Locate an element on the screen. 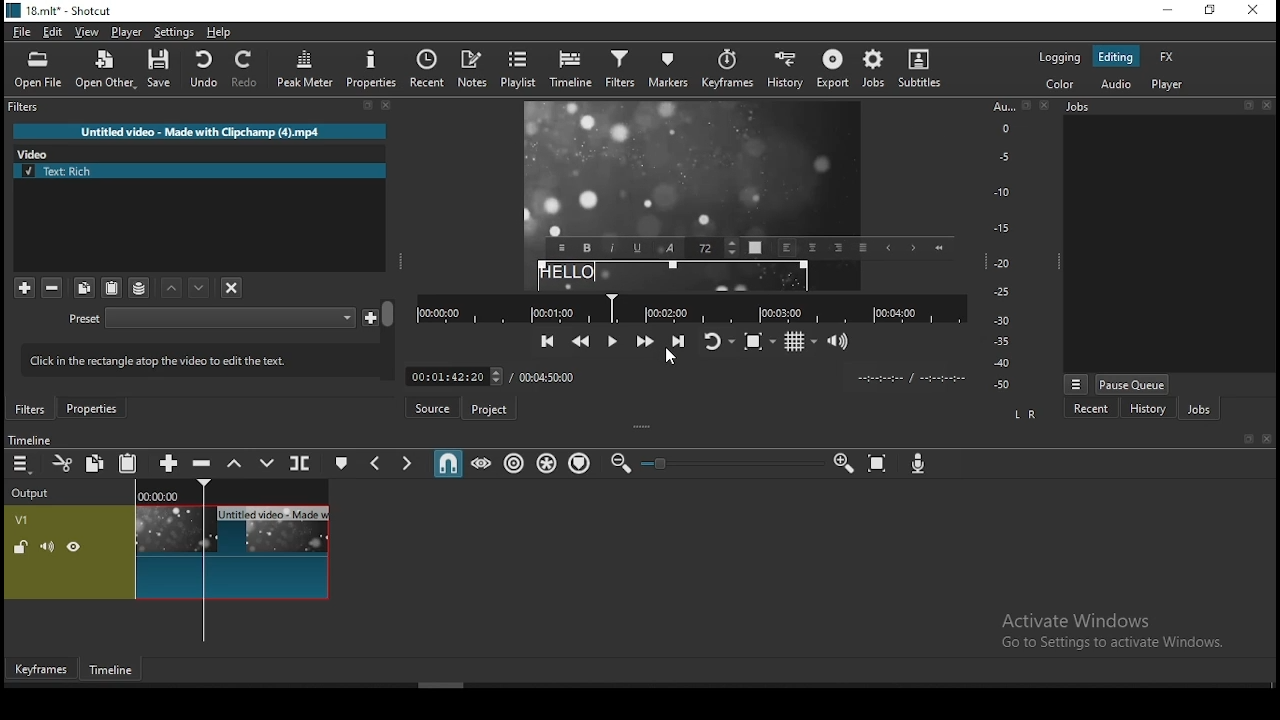  fx is located at coordinates (1168, 56).